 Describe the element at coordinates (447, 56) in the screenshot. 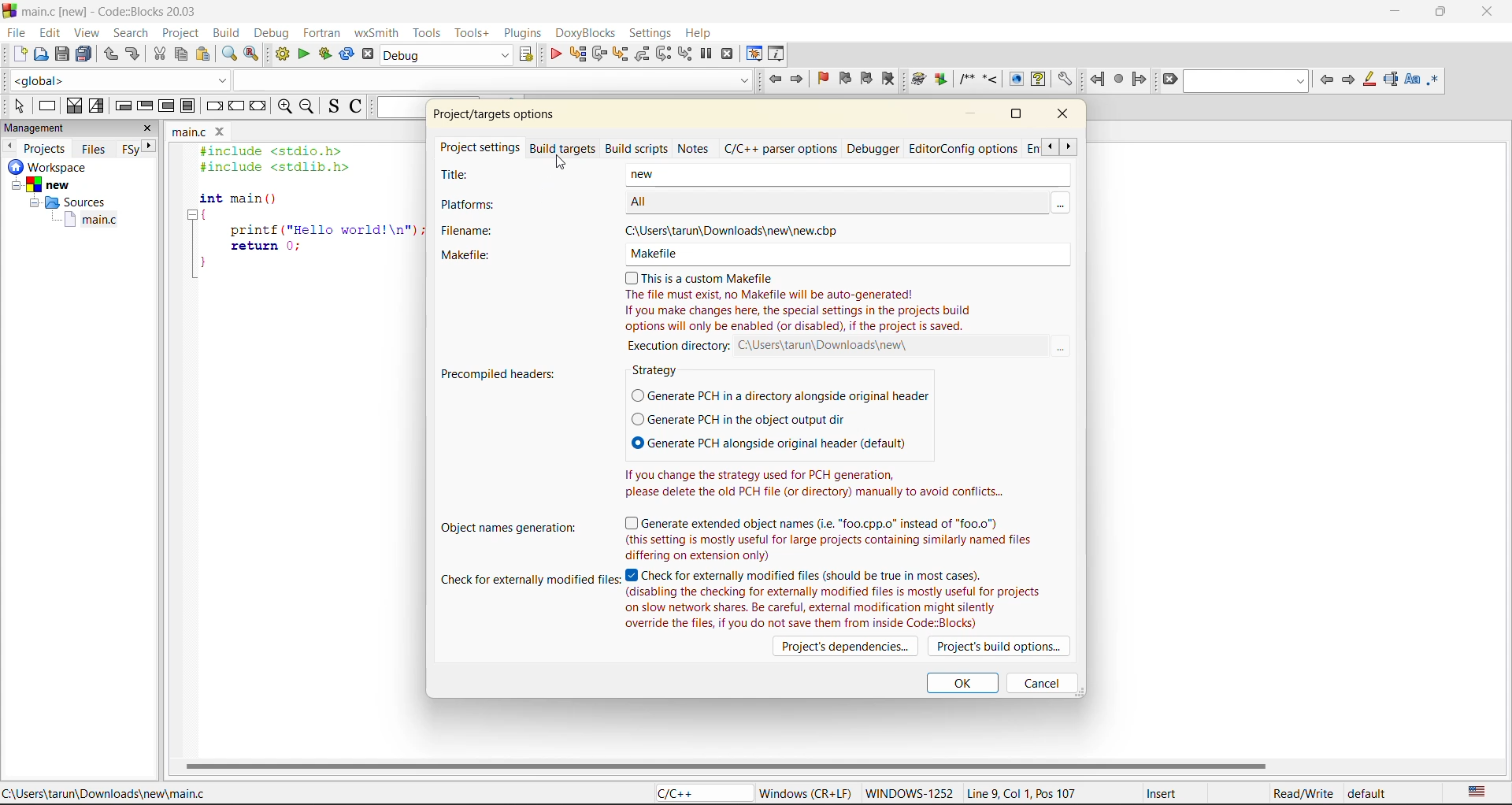

I see `build target` at that location.